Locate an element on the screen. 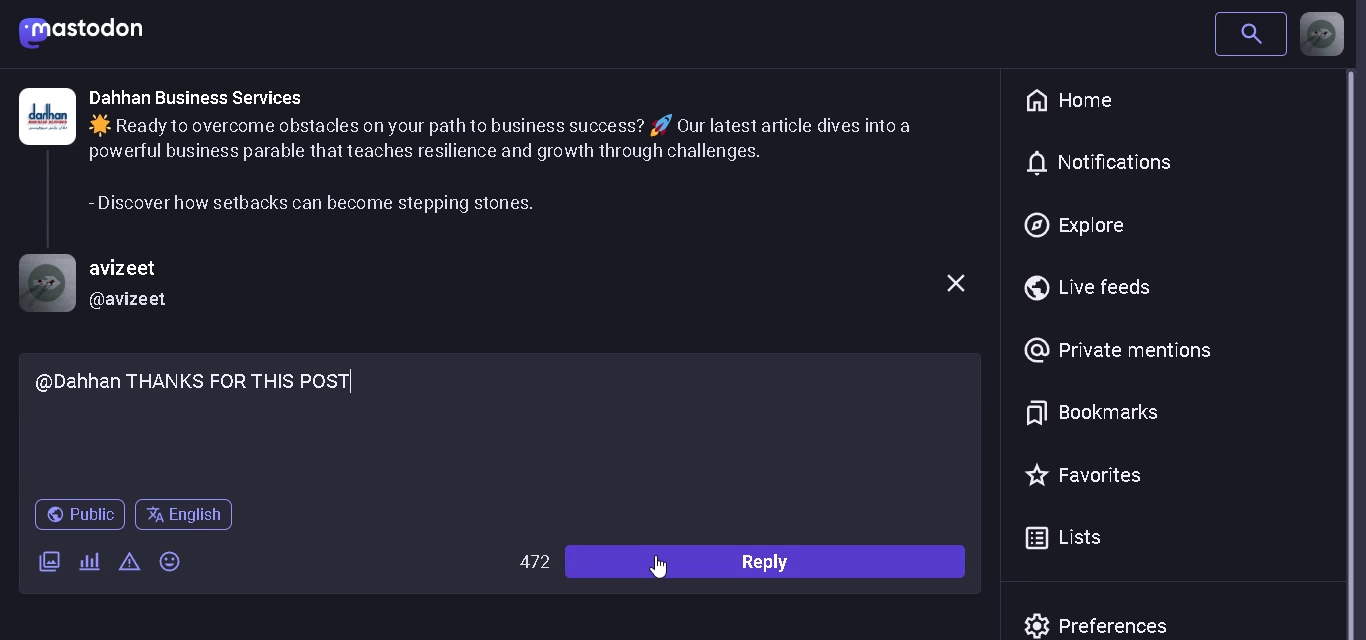 The height and width of the screenshot is (640, 1366). language is located at coordinates (189, 518).